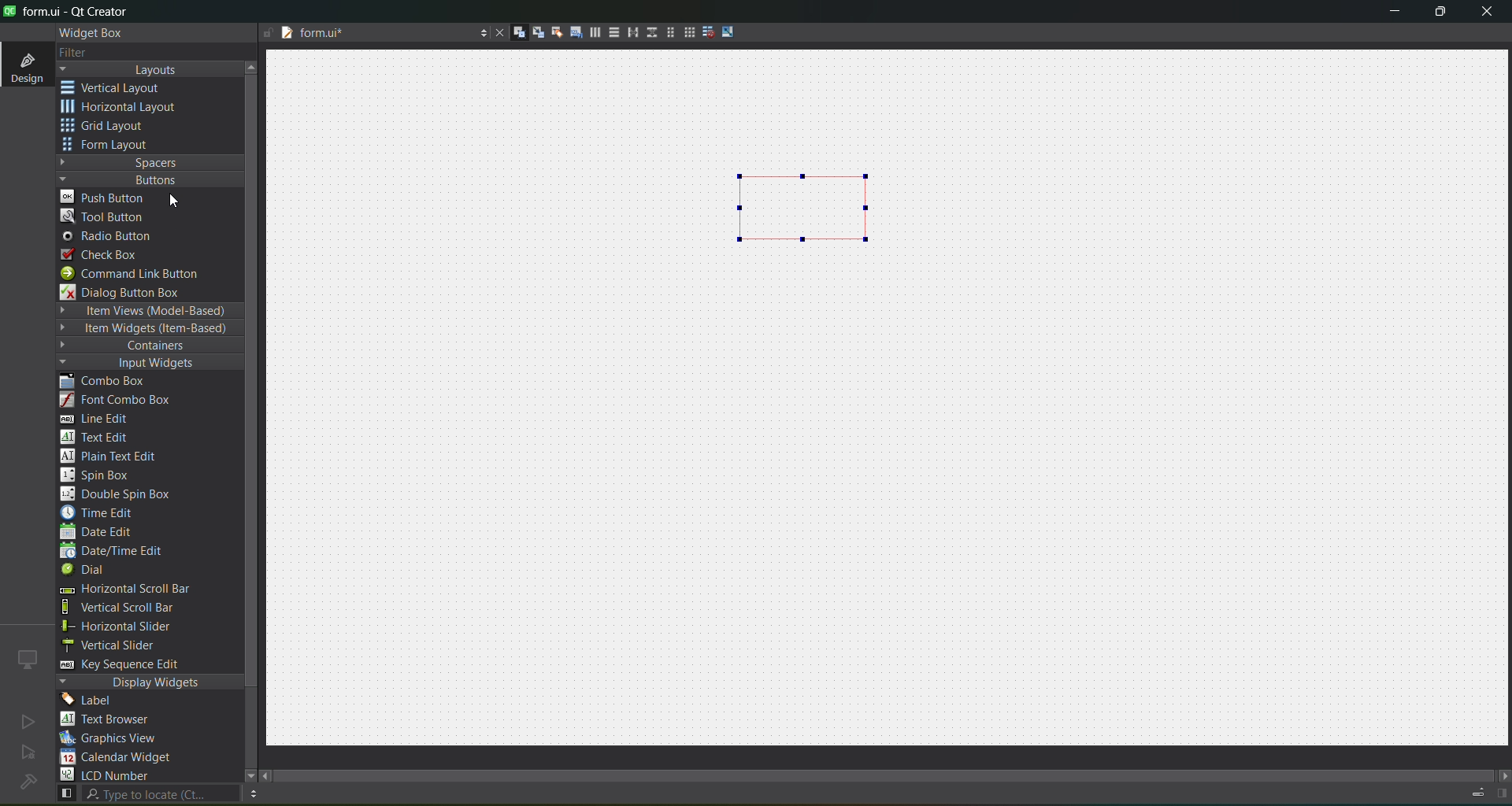  I want to click on move right, so click(1503, 777).